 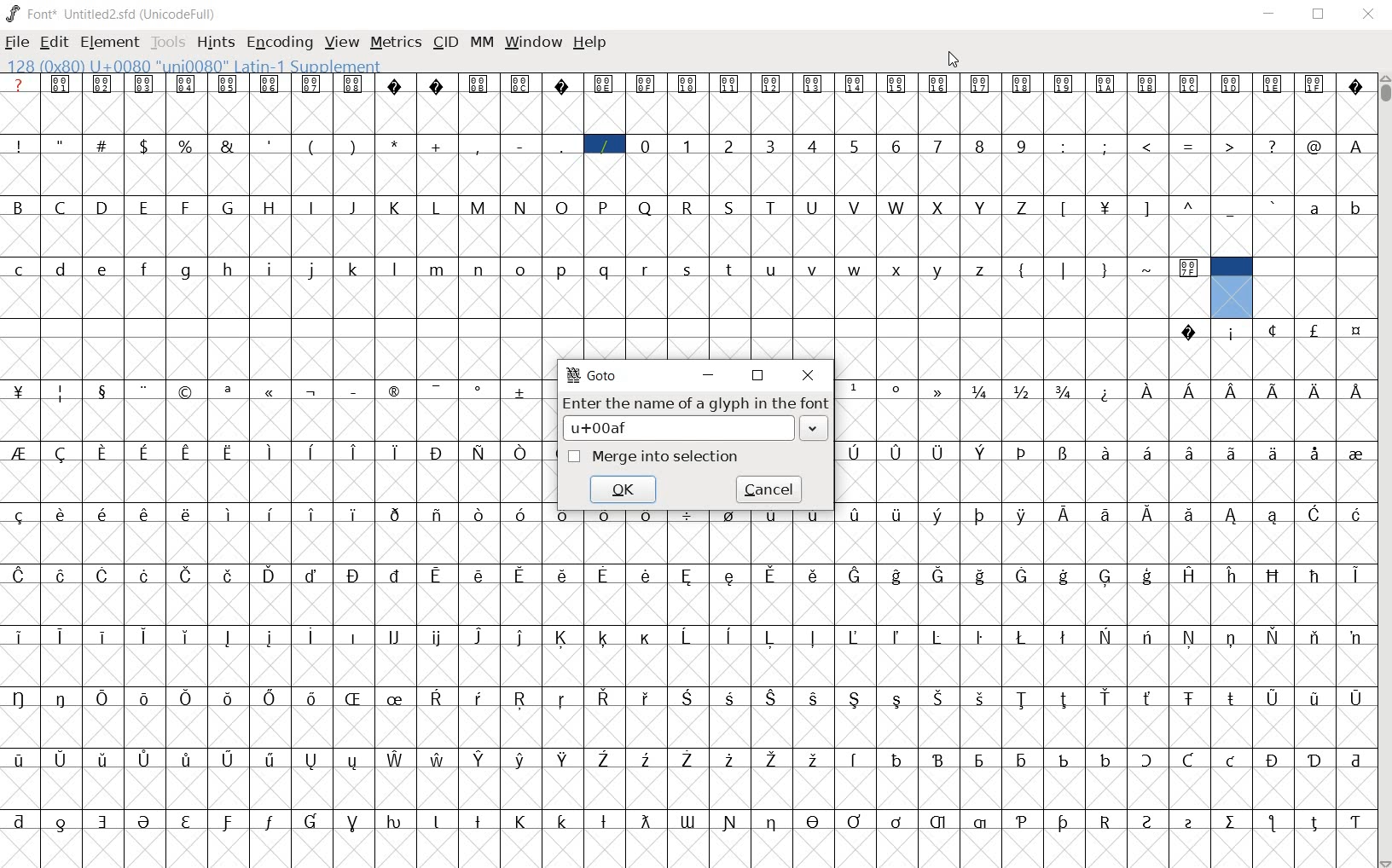 What do you see at coordinates (521, 83) in the screenshot?
I see `Symbol` at bounding box center [521, 83].